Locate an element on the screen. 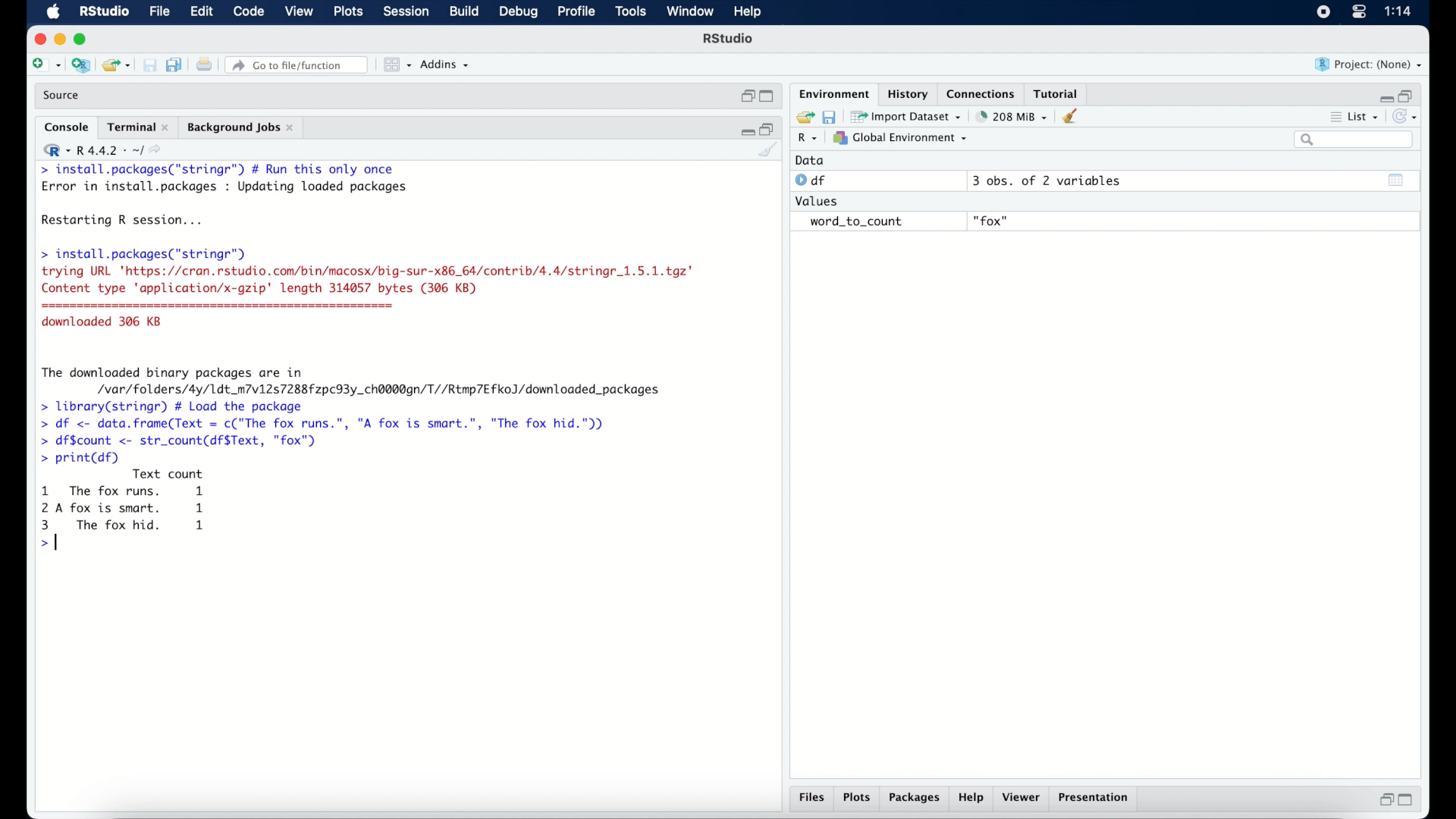 The image size is (1456, 819). R studio is located at coordinates (728, 39).